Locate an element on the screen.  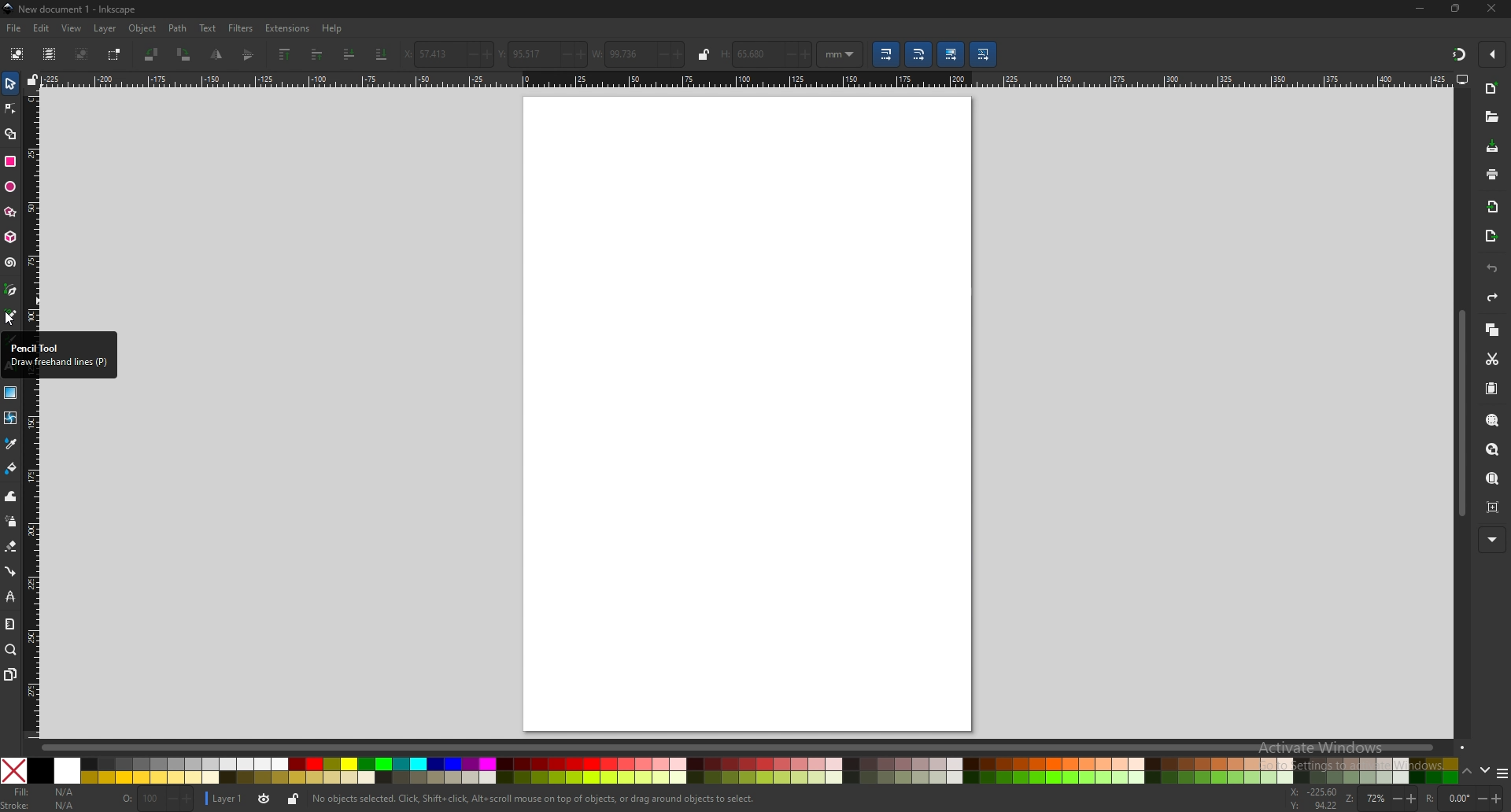
scroll bar is located at coordinates (753, 749).